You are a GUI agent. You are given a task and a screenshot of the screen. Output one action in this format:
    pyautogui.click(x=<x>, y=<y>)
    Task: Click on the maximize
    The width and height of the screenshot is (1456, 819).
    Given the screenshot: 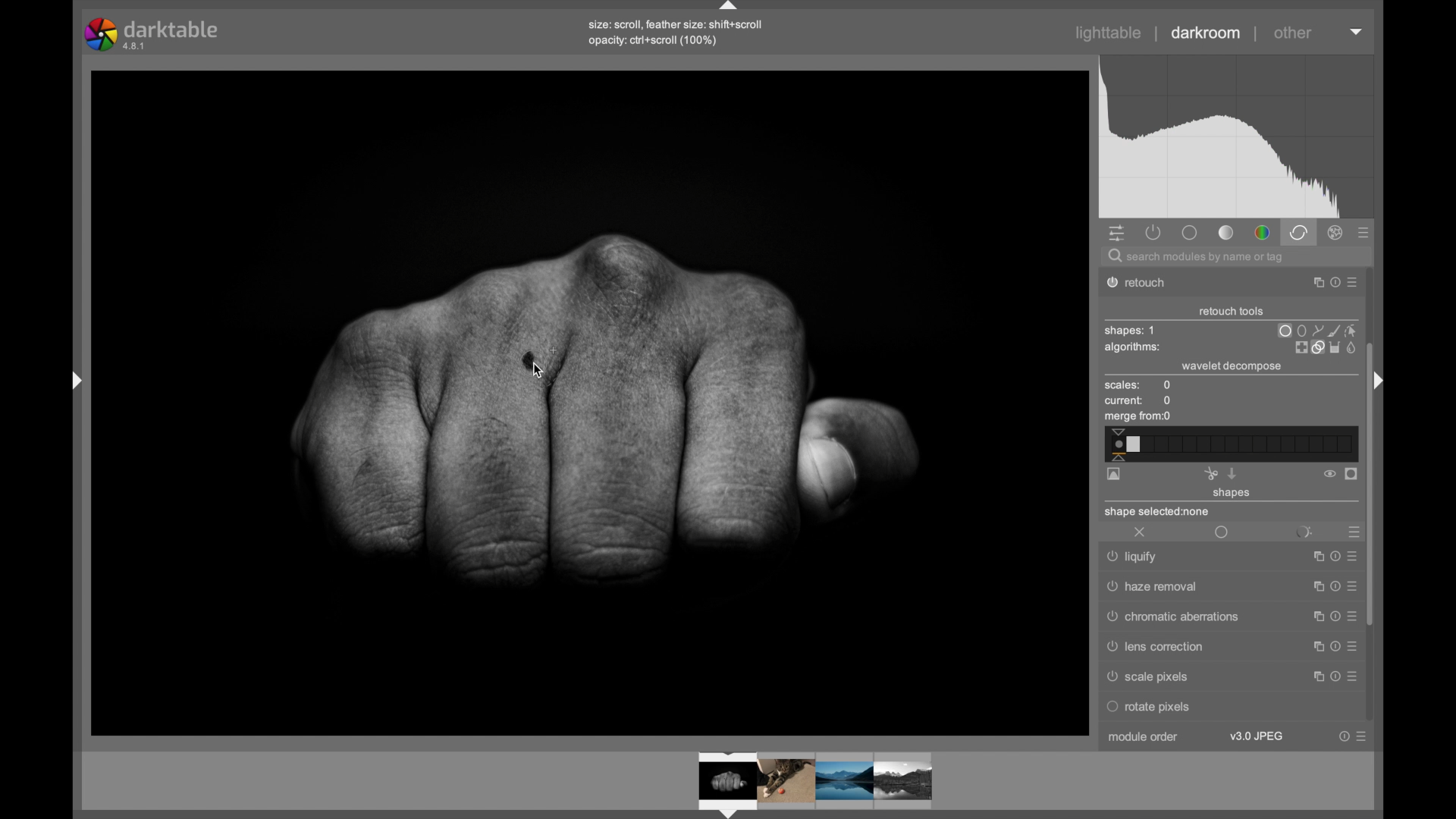 What is the action you would take?
    pyautogui.click(x=1313, y=617)
    